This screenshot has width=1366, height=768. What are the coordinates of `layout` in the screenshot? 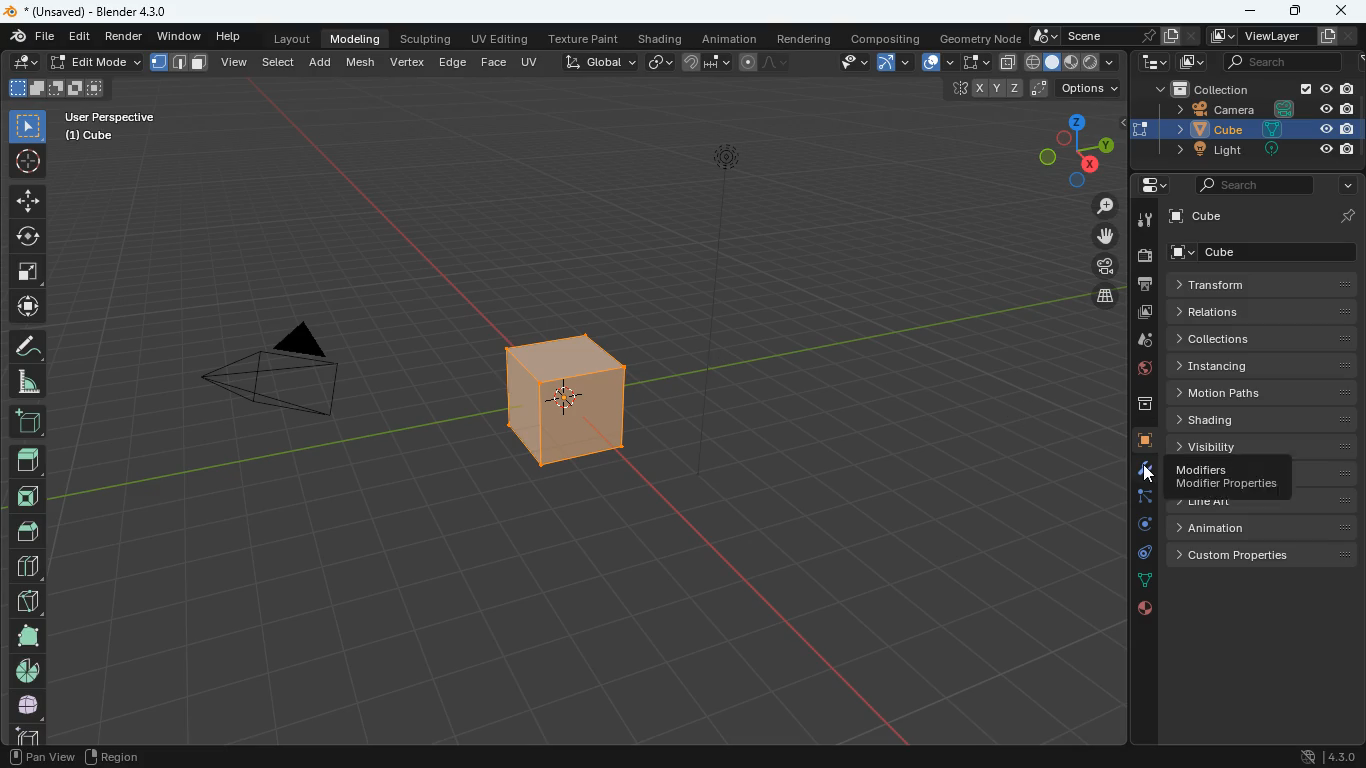 It's located at (287, 39).